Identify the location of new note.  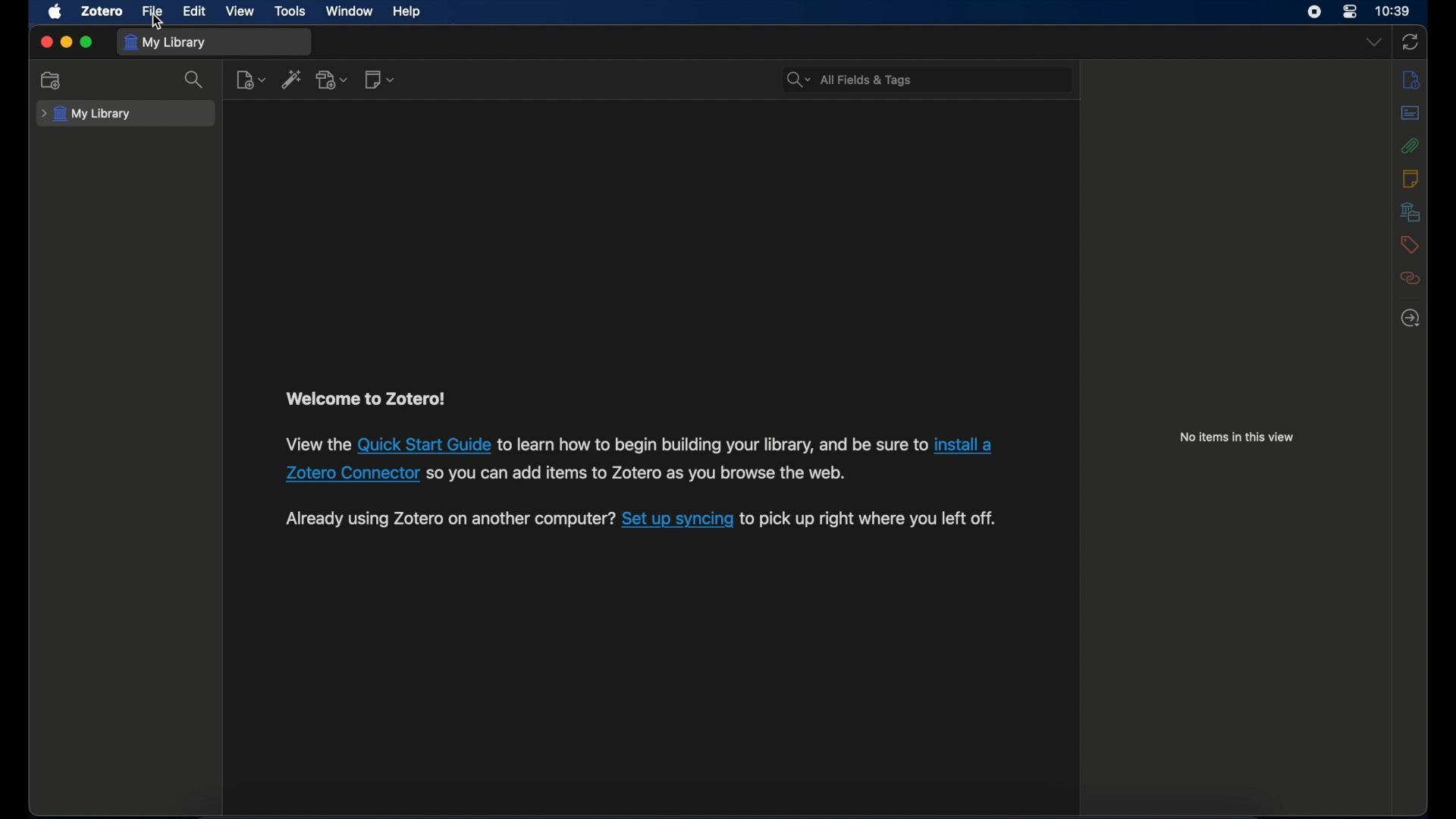
(378, 80).